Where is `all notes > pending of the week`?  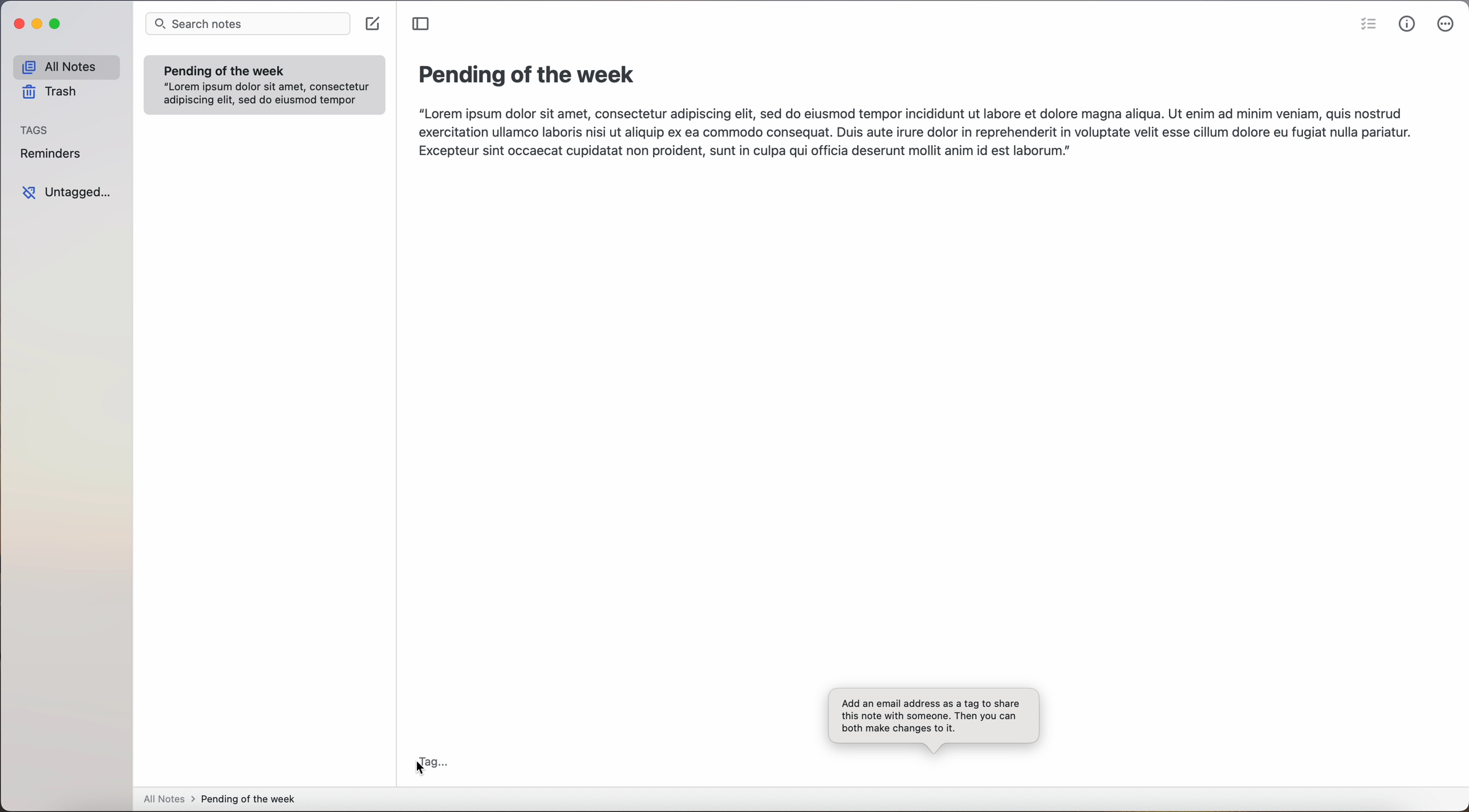
all notes > pending of the week is located at coordinates (224, 800).